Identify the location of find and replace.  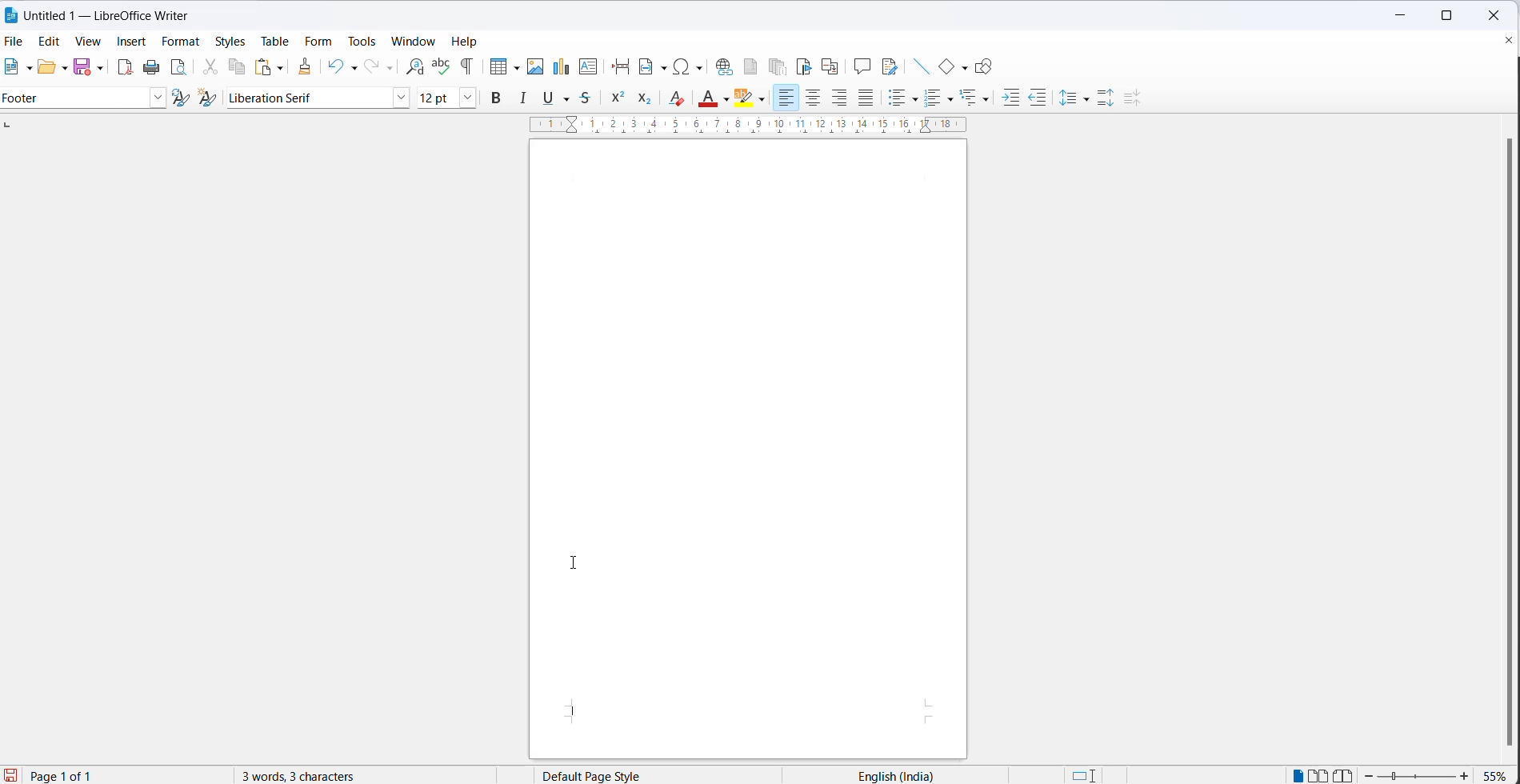
(414, 66).